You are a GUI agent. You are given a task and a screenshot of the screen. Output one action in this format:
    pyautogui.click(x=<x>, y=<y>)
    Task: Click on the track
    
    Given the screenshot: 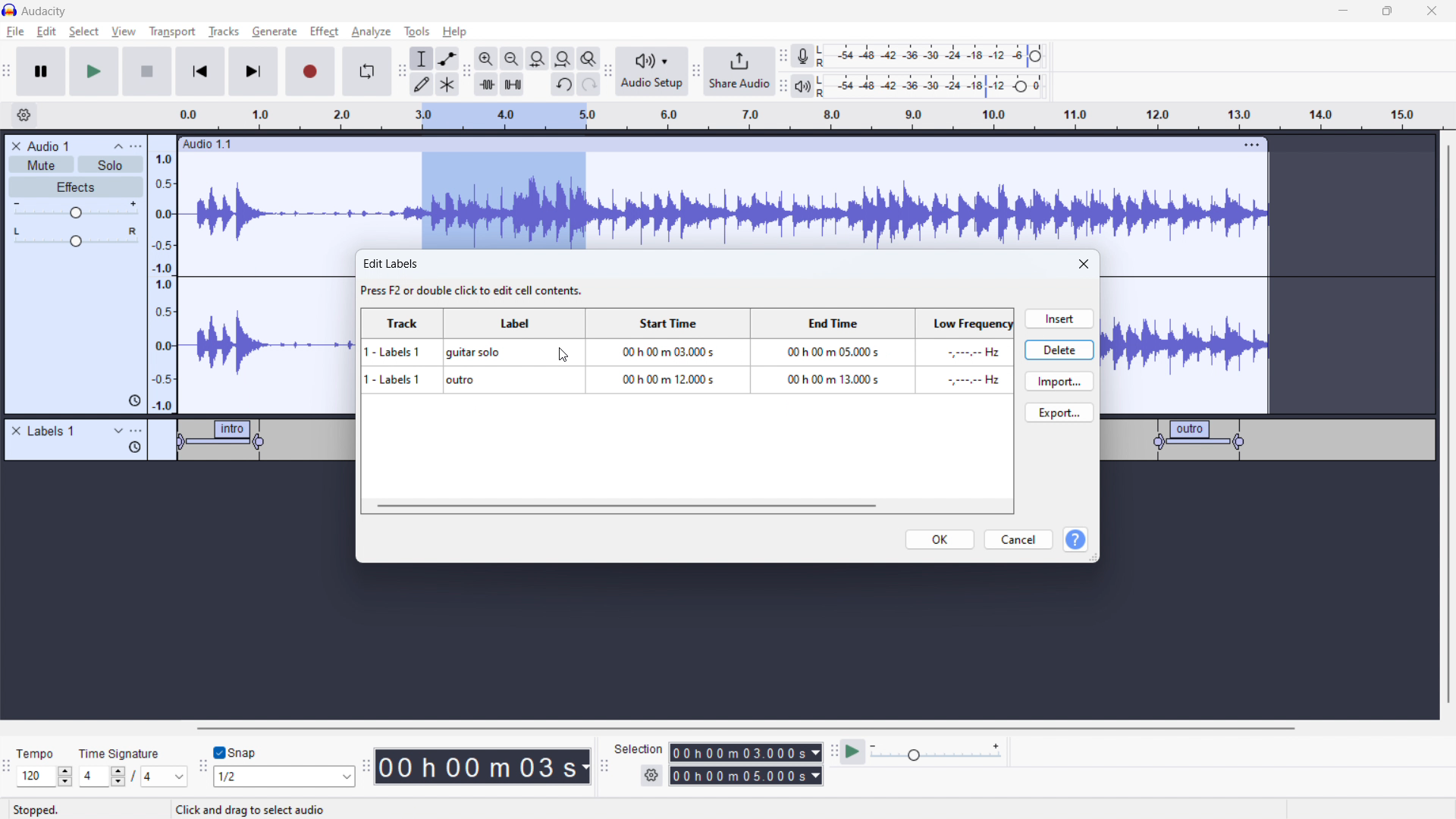 What is the action you would take?
    pyautogui.click(x=404, y=365)
    